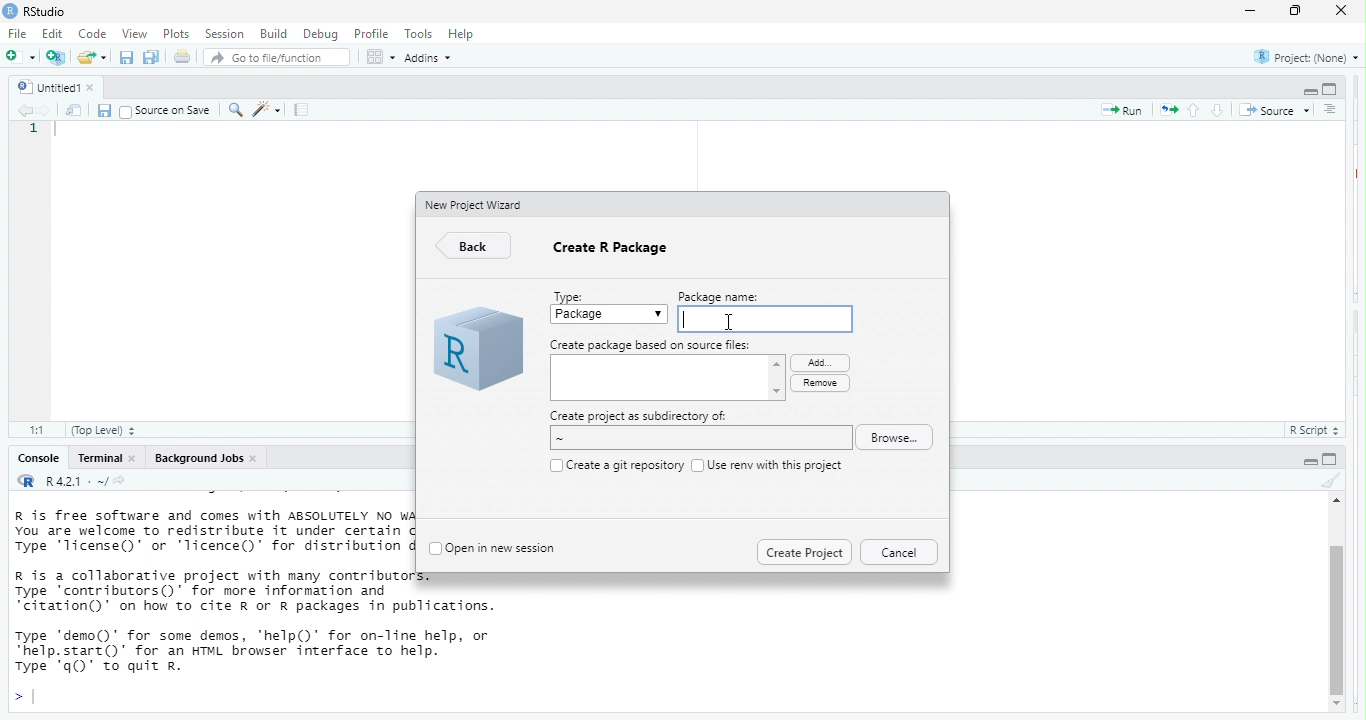  I want to click on scroll down, so click(1338, 705).